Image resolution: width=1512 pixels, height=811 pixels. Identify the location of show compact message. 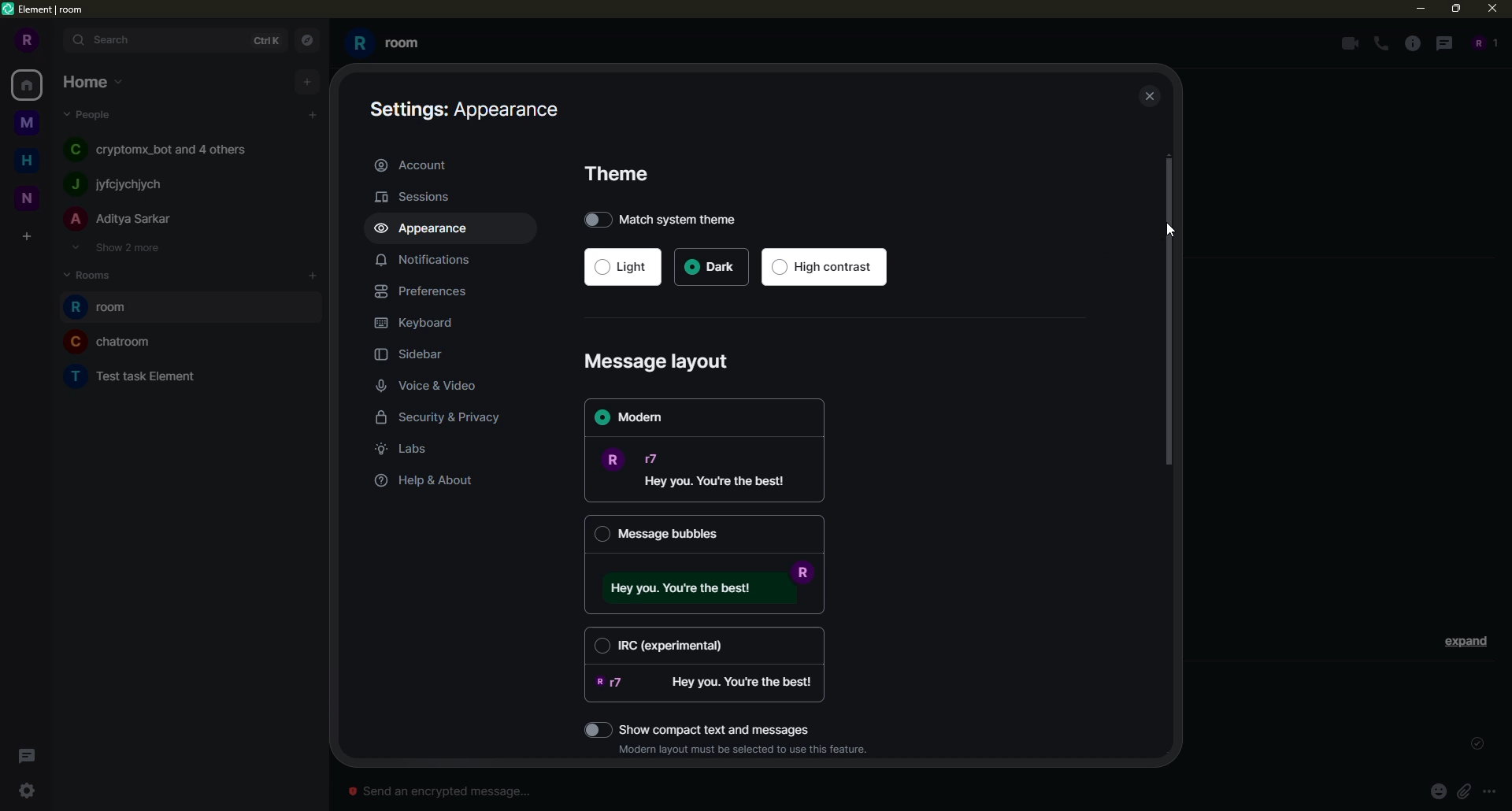
(724, 728).